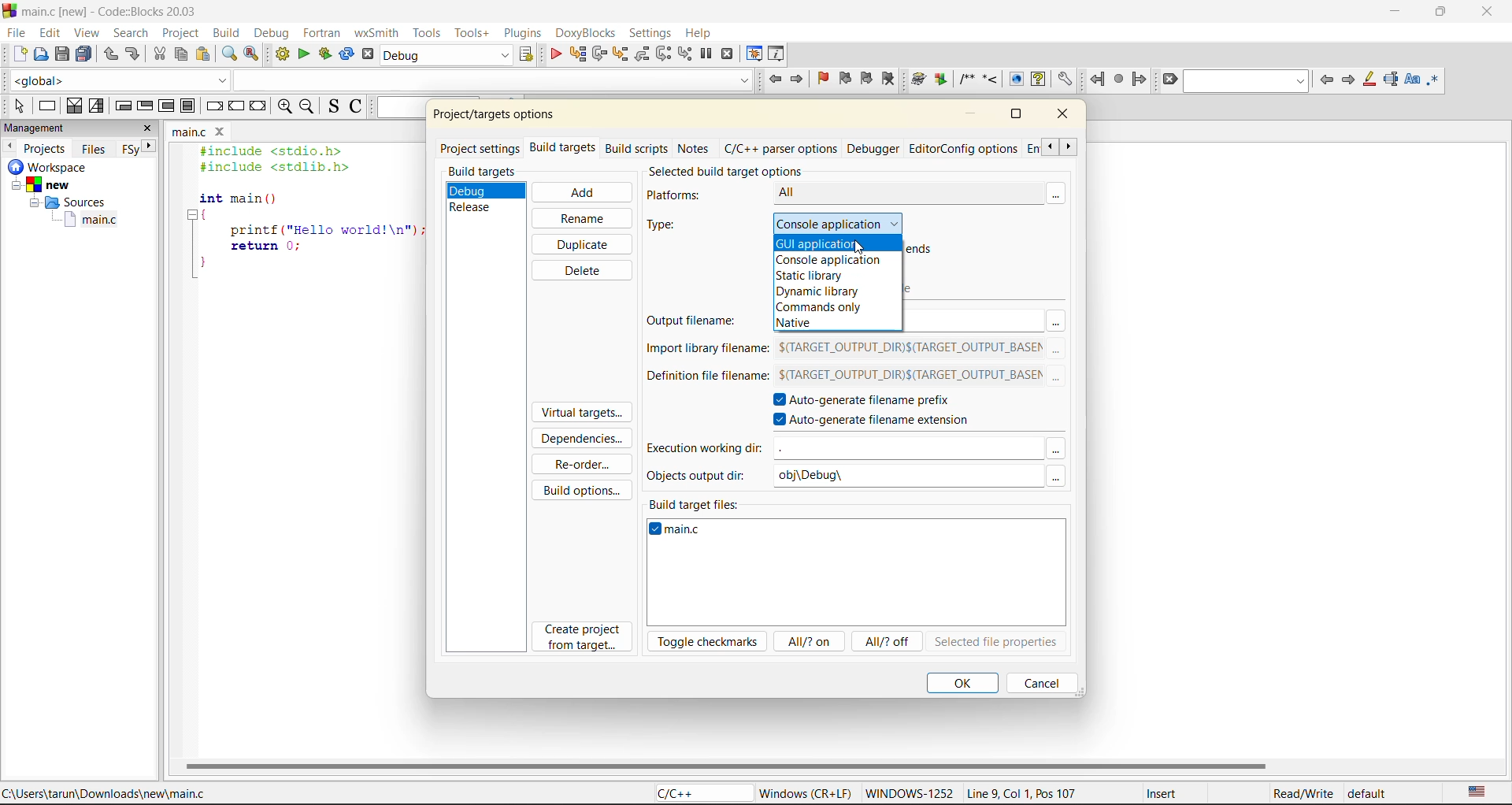 The height and width of the screenshot is (805, 1512). Describe the element at coordinates (109, 794) in the screenshot. I see `C:\Users\tarun\Downloads\new\main.c` at that location.